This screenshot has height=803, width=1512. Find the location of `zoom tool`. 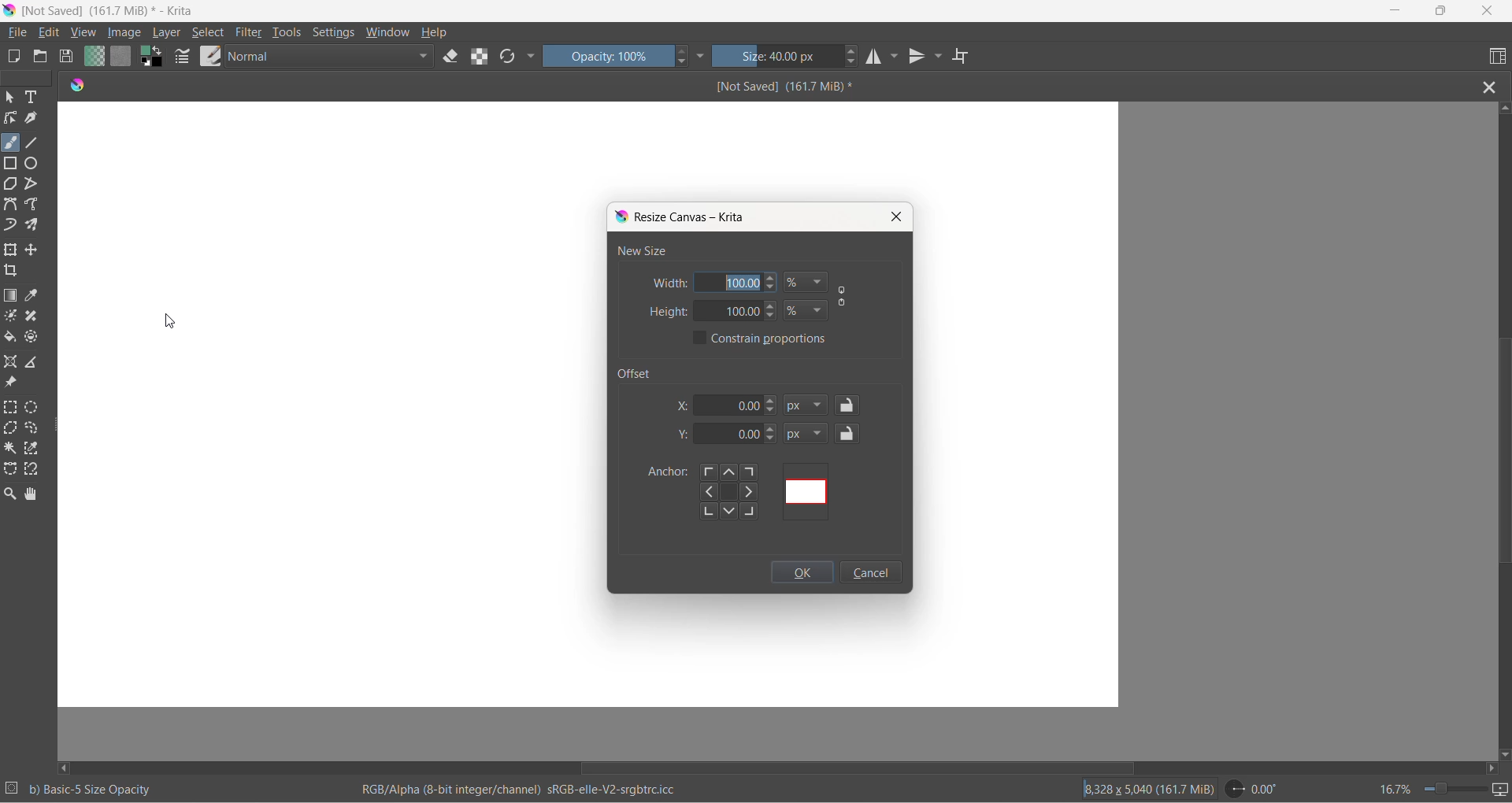

zoom tool is located at coordinates (13, 494).